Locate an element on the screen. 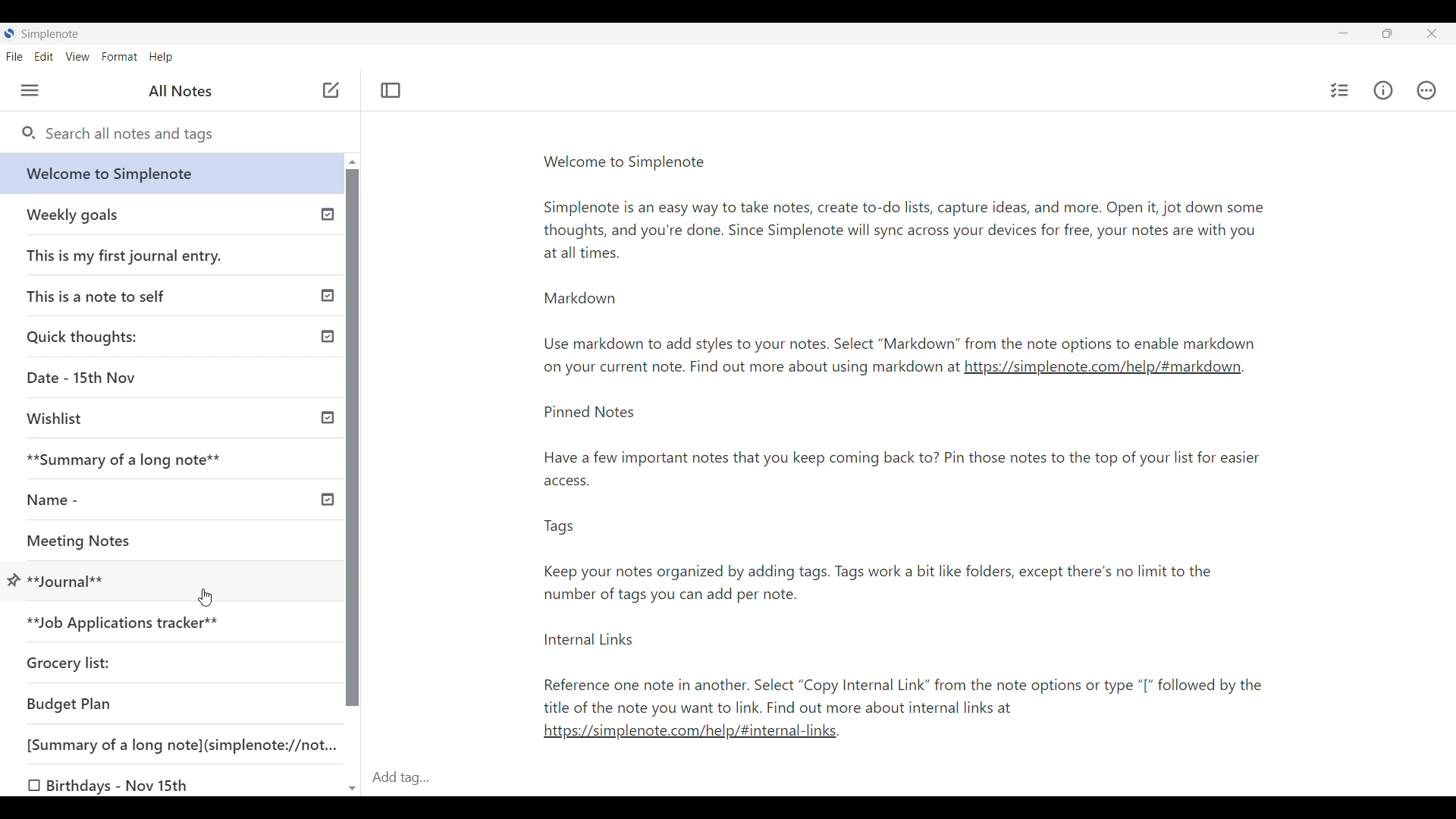 The height and width of the screenshot is (819, 1456).  is located at coordinates (748, 366).